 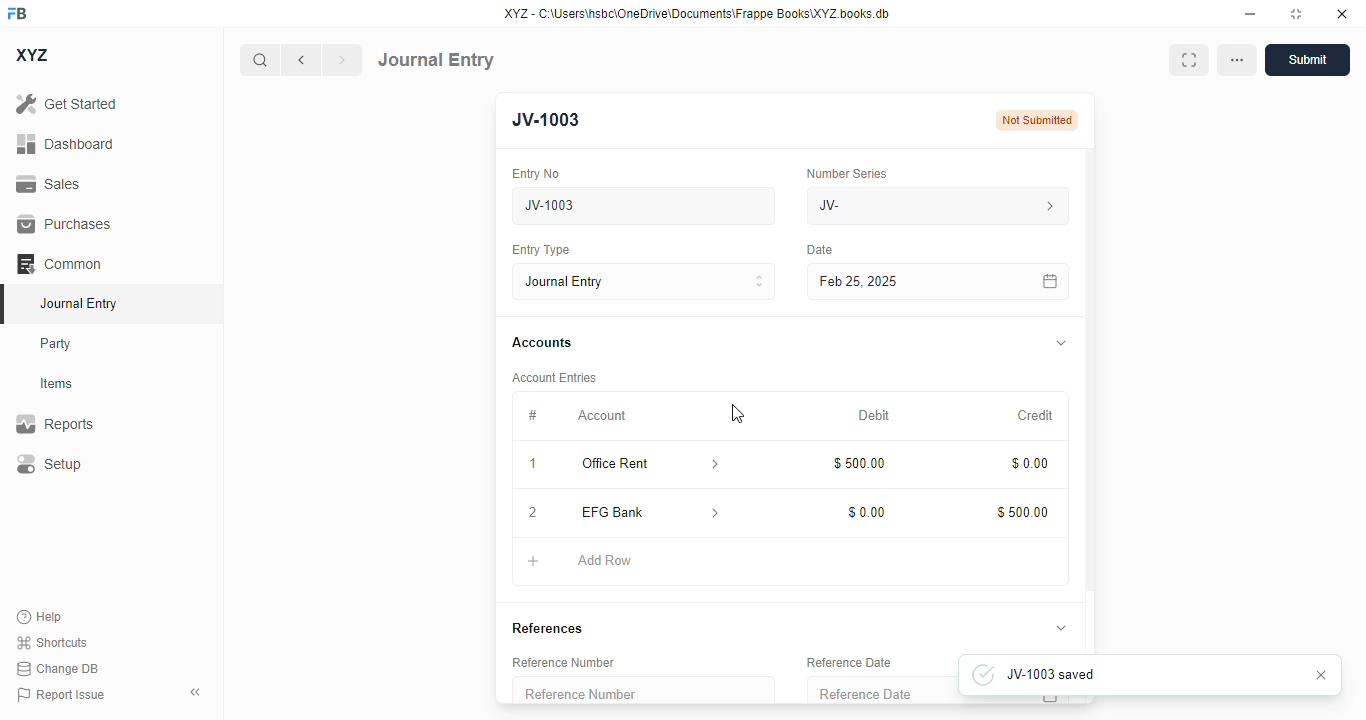 I want to click on EFB bank, so click(x=632, y=512).